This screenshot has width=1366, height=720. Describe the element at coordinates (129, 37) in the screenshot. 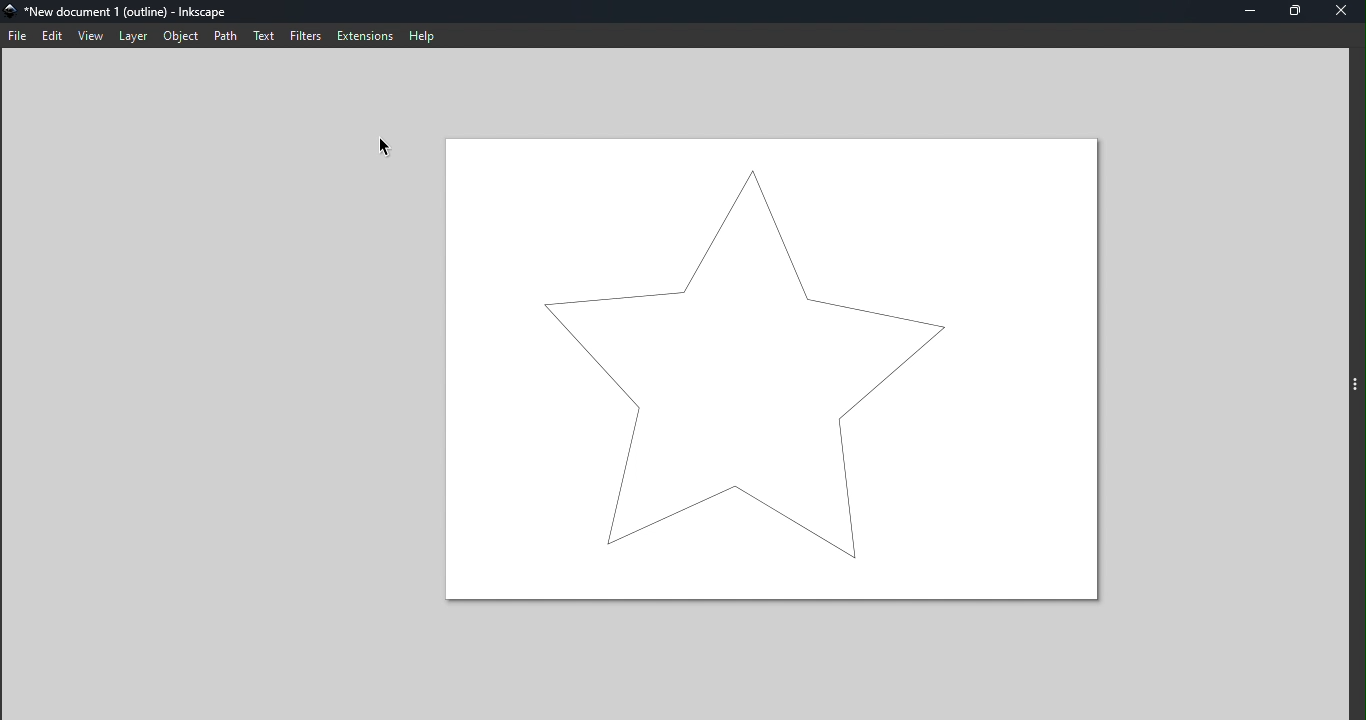

I see `Layer` at that location.